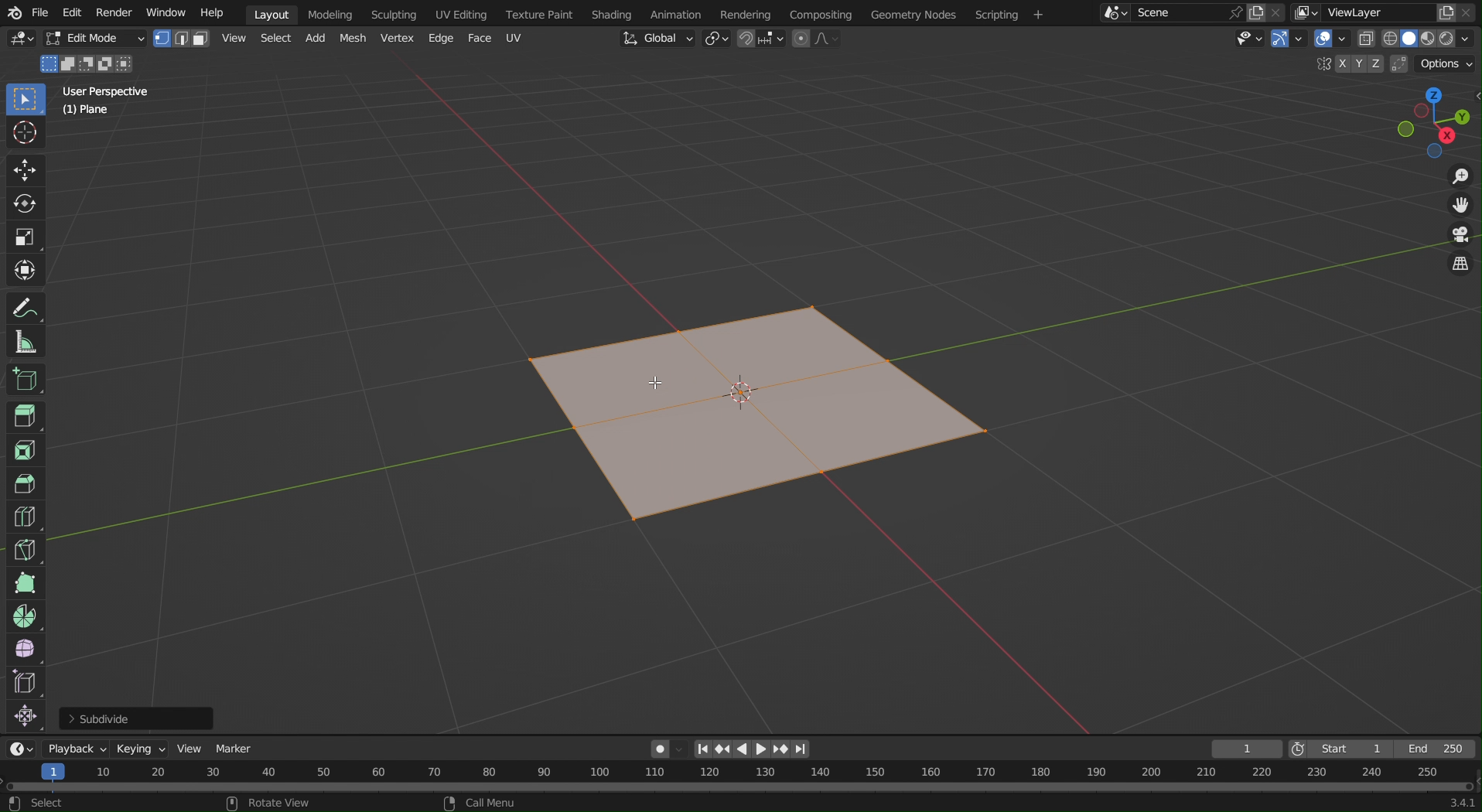  I want to click on Frame, so click(1247, 749).